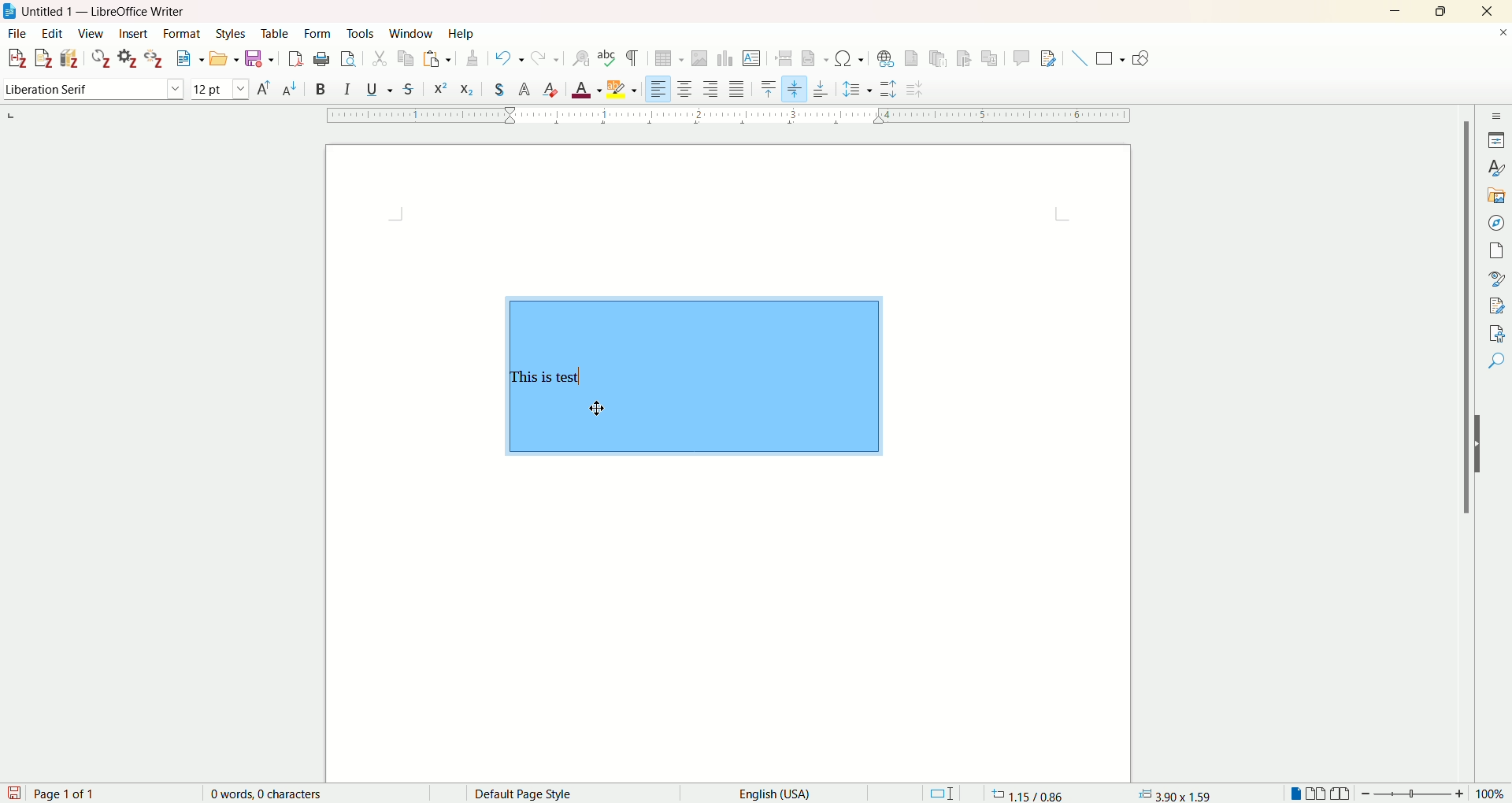 This screenshot has width=1512, height=803. Describe the element at coordinates (436, 58) in the screenshot. I see `paste` at that location.